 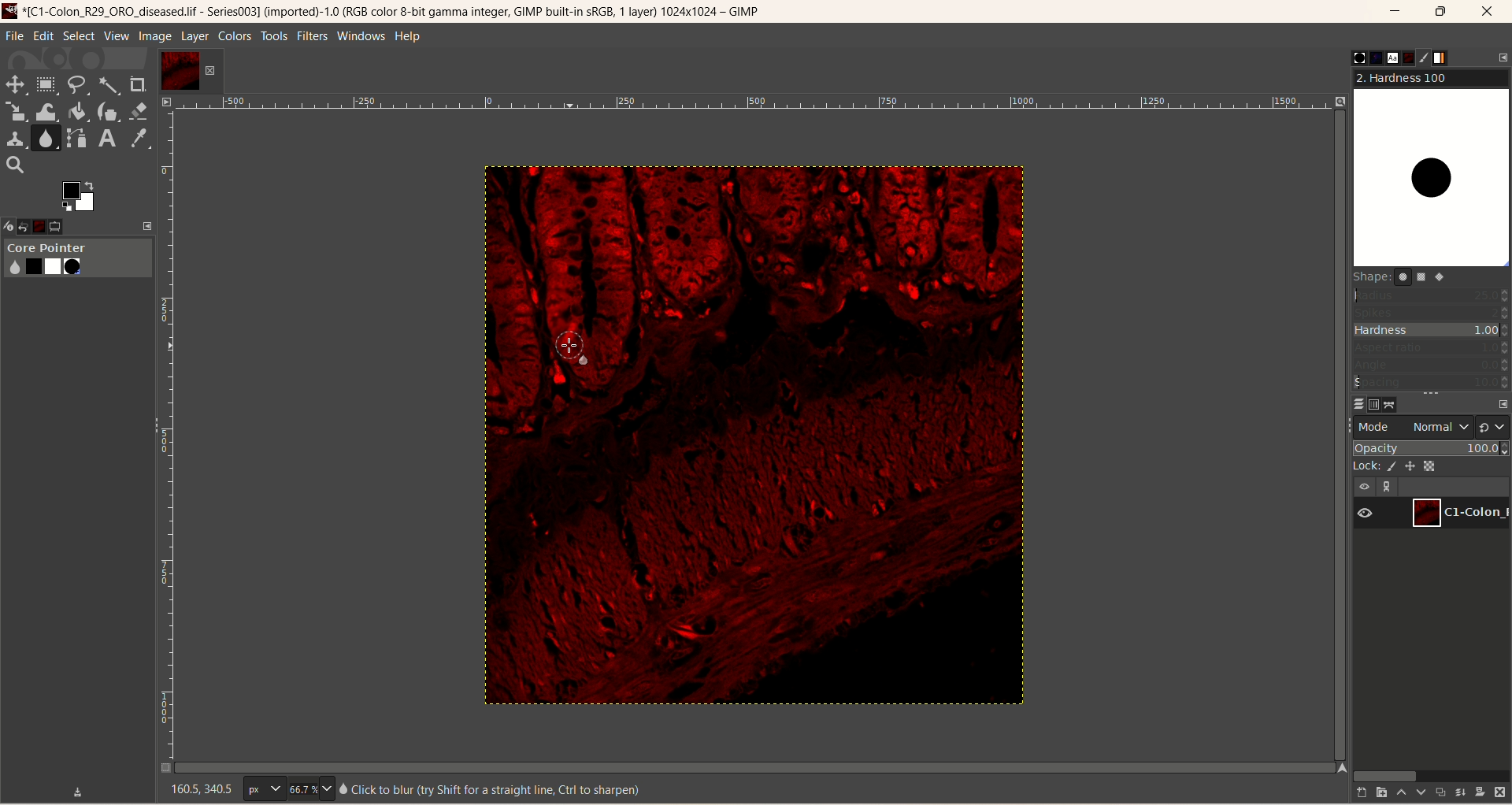 I want to click on radius, so click(x=1432, y=295).